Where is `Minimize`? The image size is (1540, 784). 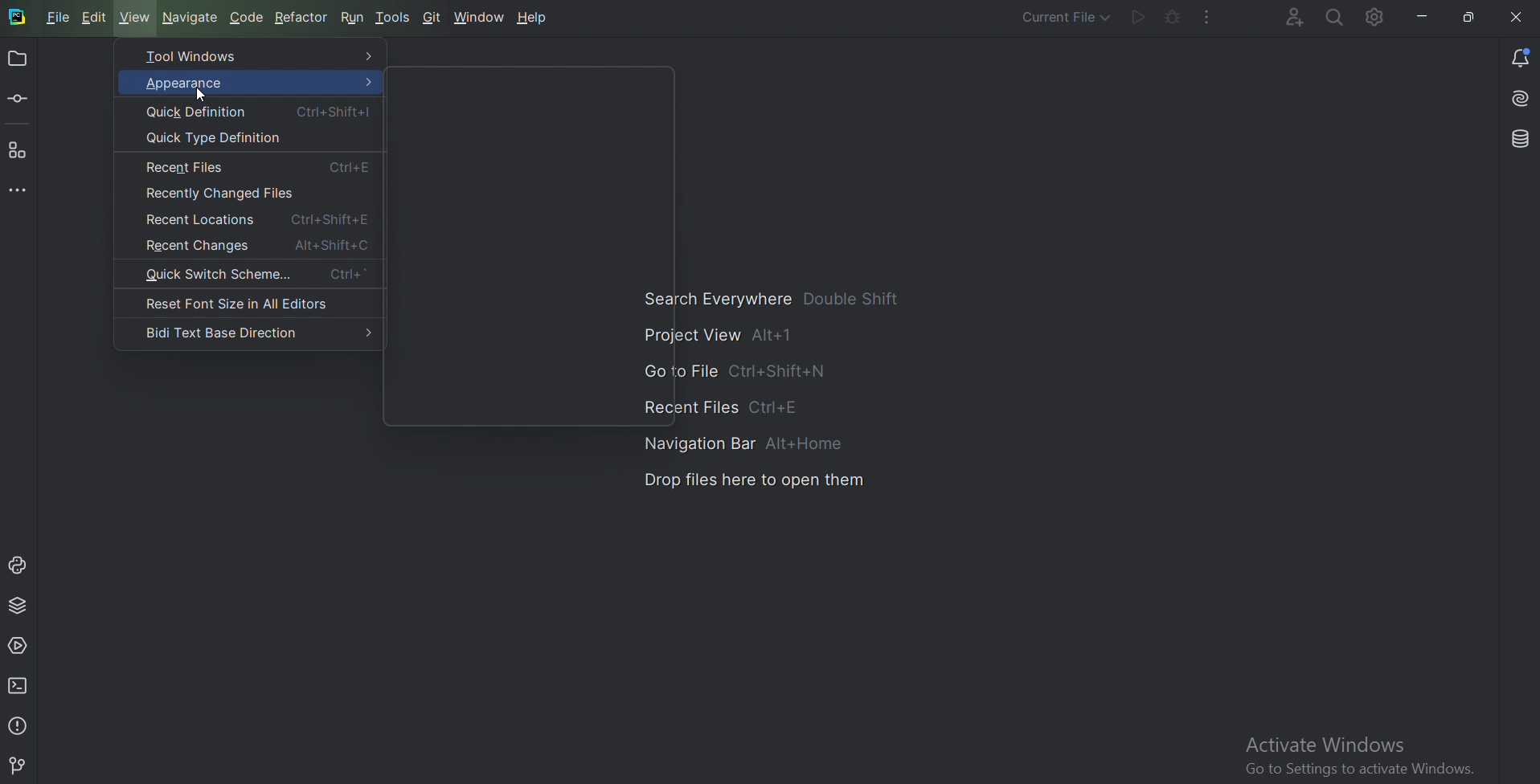 Minimize is located at coordinates (1424, 16).